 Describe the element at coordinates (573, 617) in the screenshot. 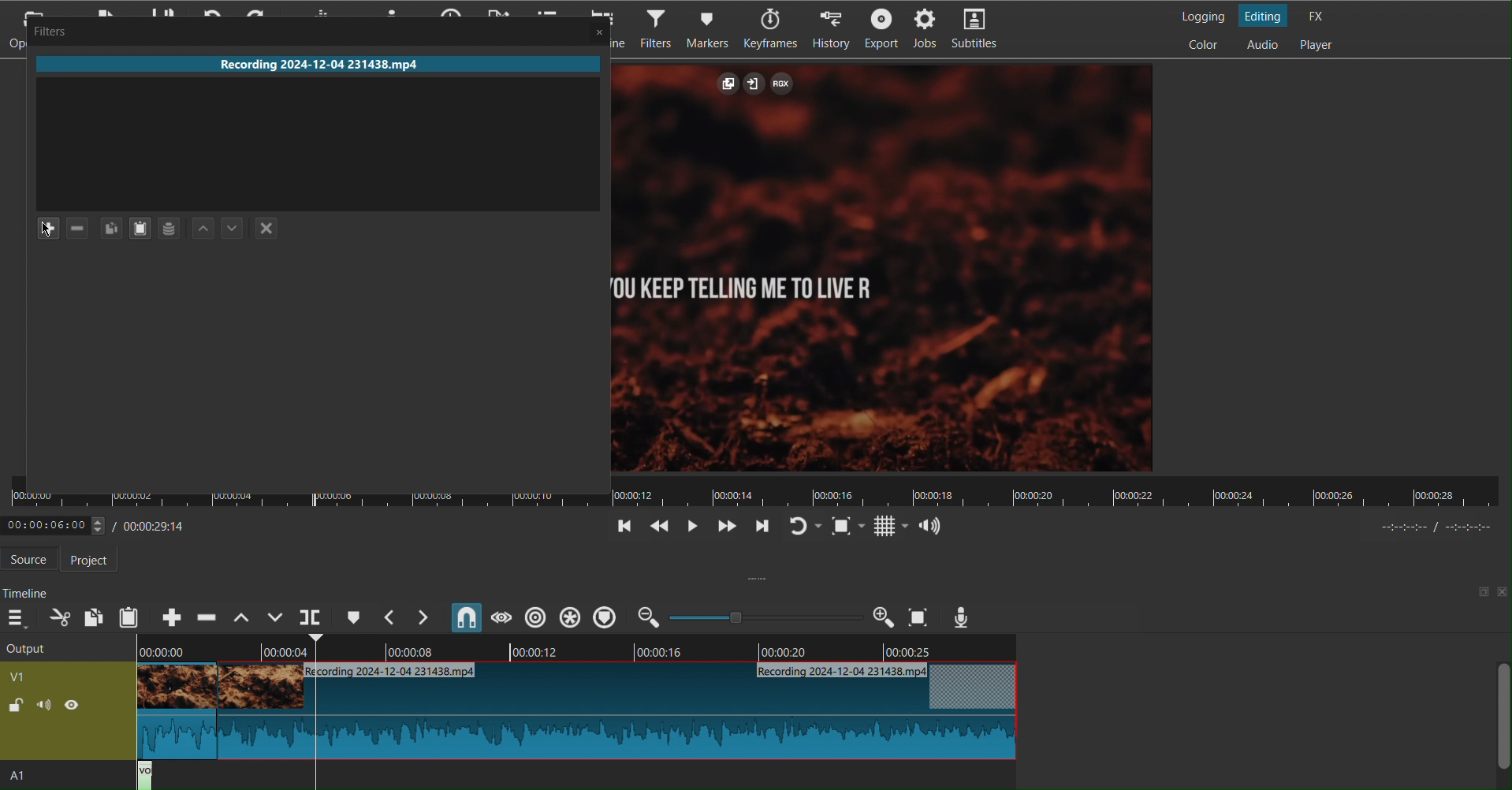

I see `Ripple` at that location.